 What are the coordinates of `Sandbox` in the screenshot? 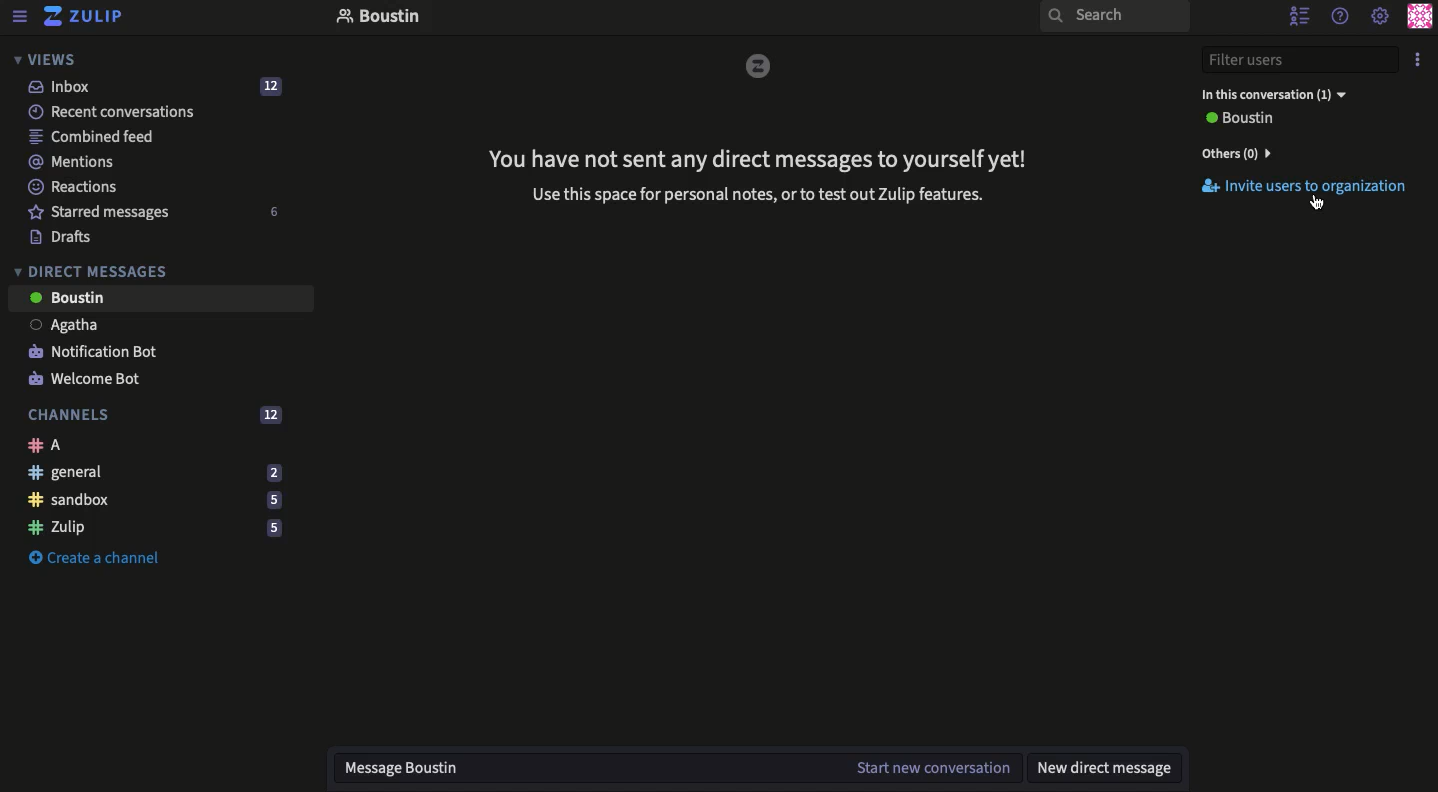 It's located at (147, 501).